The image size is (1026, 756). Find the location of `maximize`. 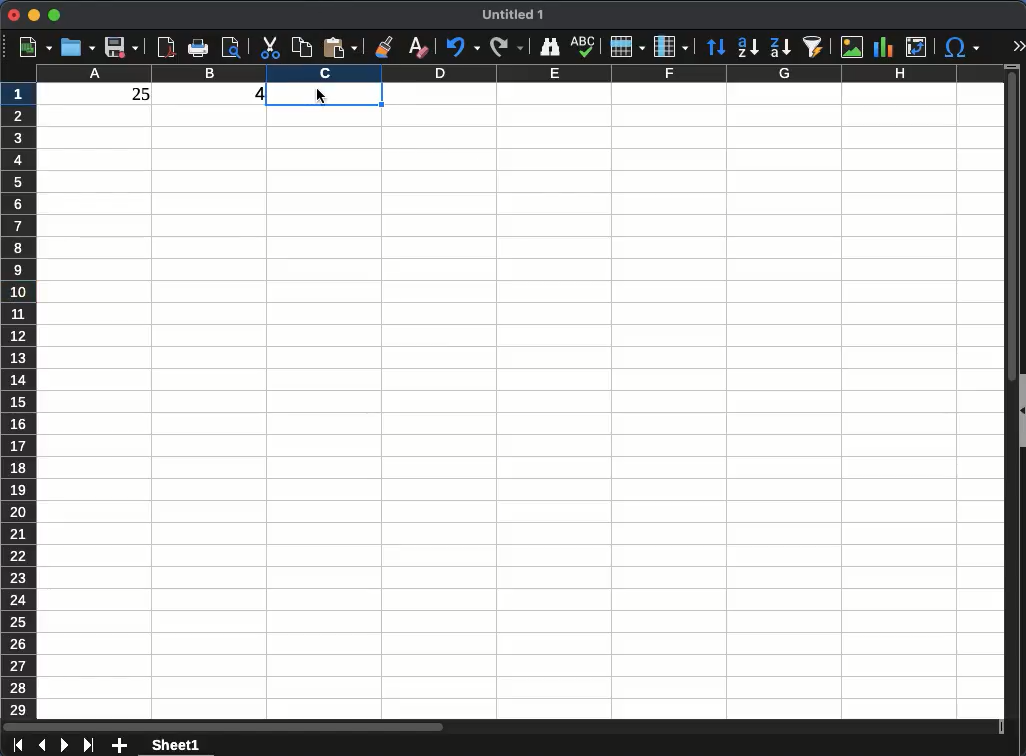

maximize is located at coordinates (53, 15).